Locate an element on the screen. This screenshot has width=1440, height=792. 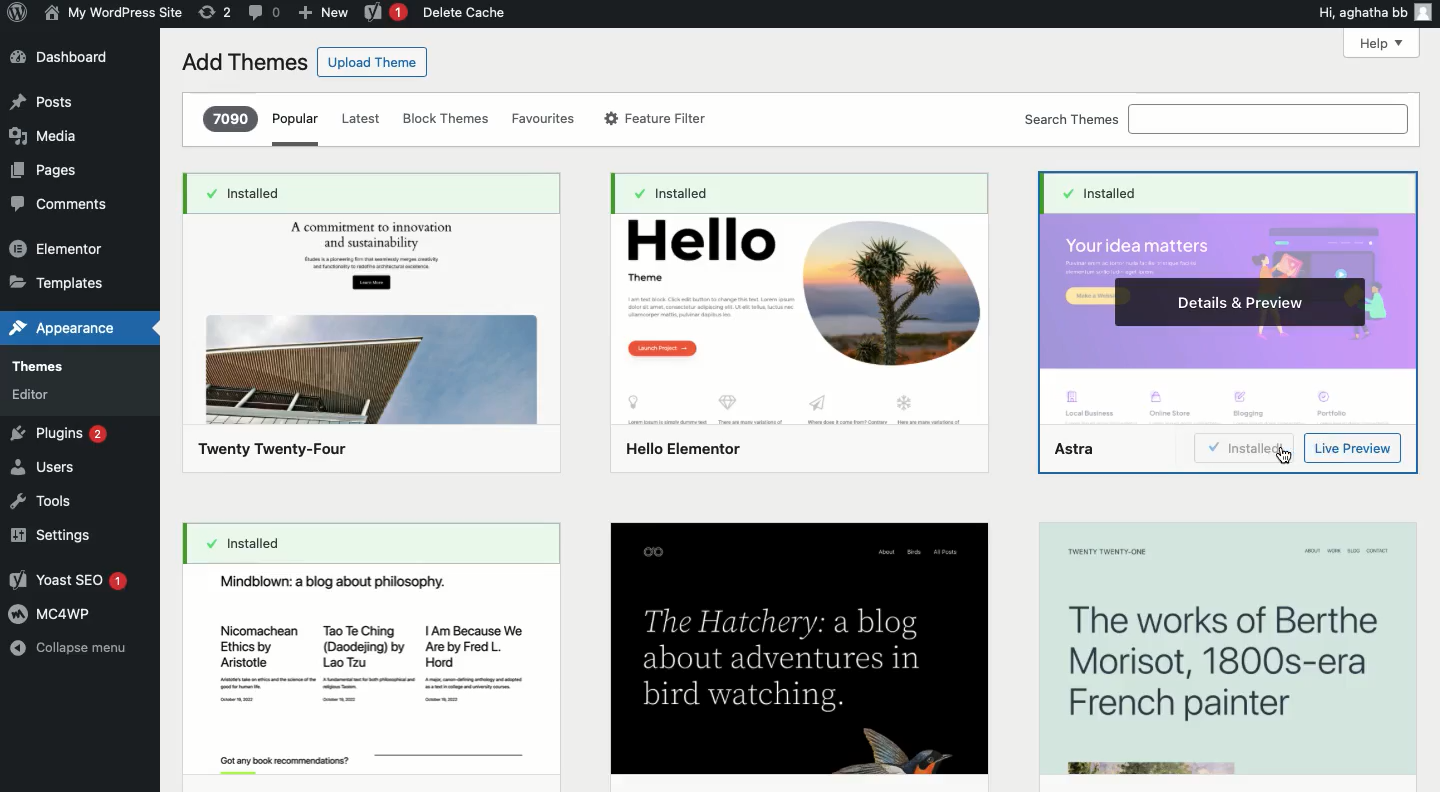
Yoast 1 is located at coordinates (385, 13).